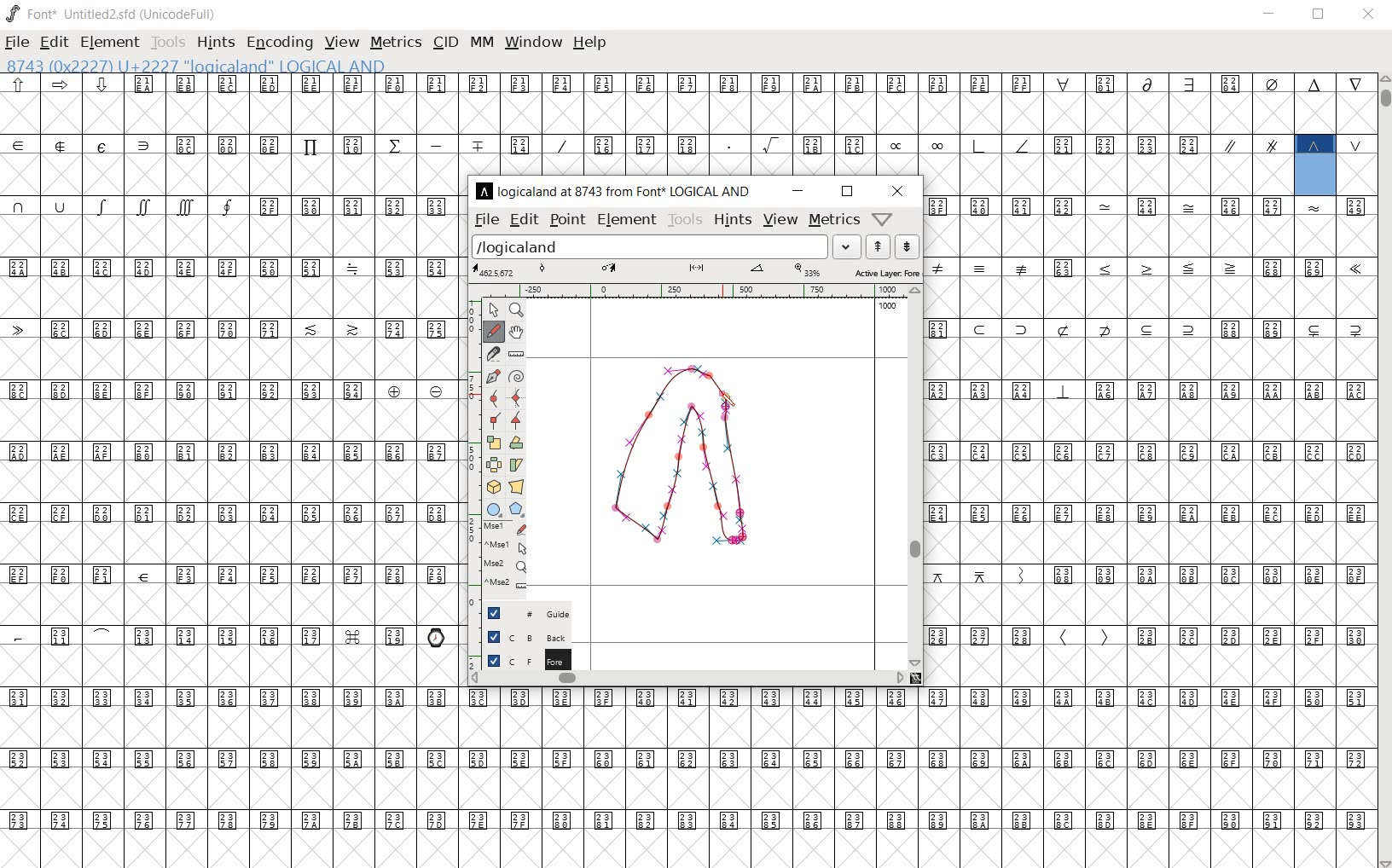  I want to click on MAGNIFY, so click(518, 311).